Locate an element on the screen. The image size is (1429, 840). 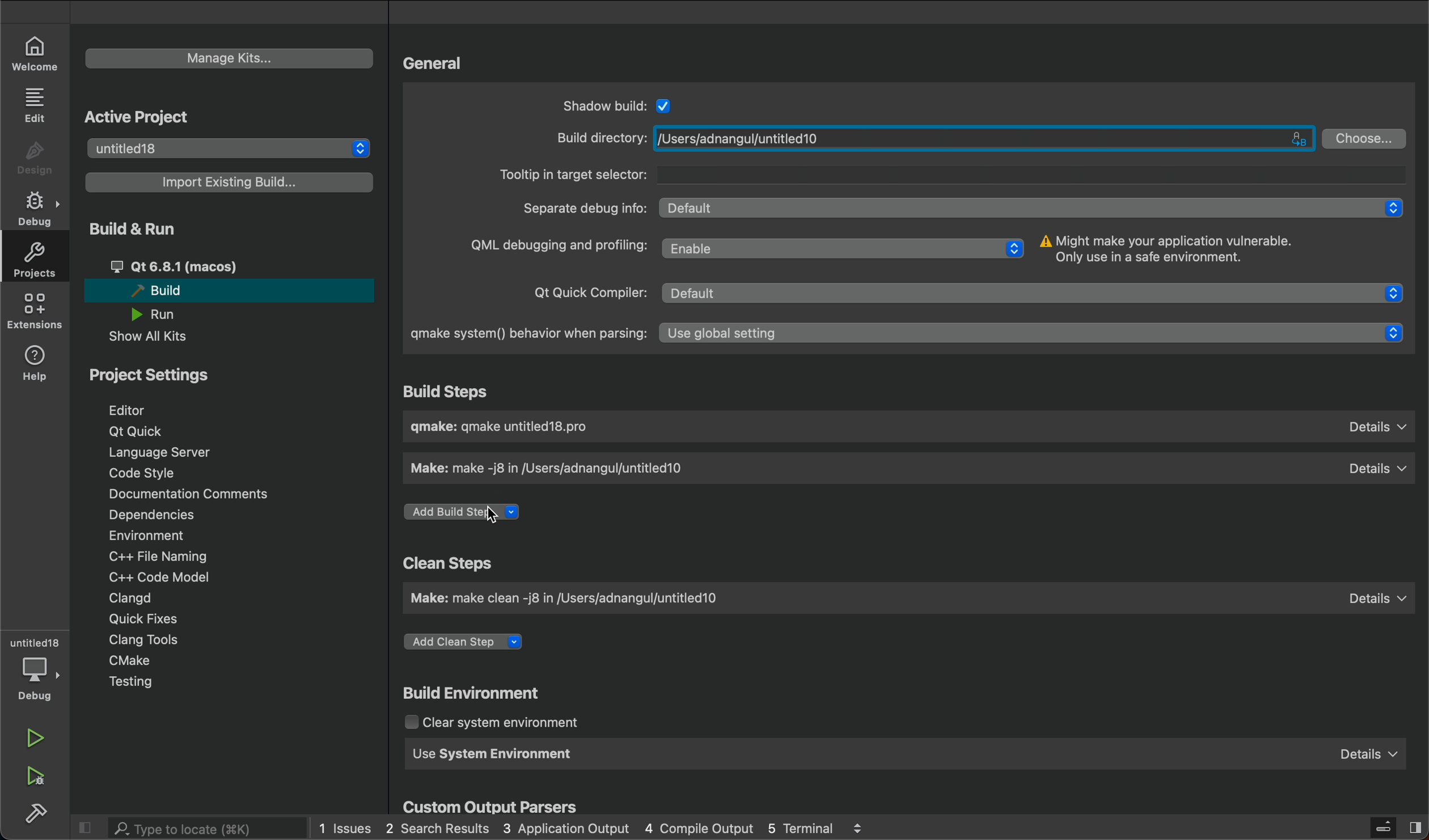
Build directory: is located at coordinates (598, 139).